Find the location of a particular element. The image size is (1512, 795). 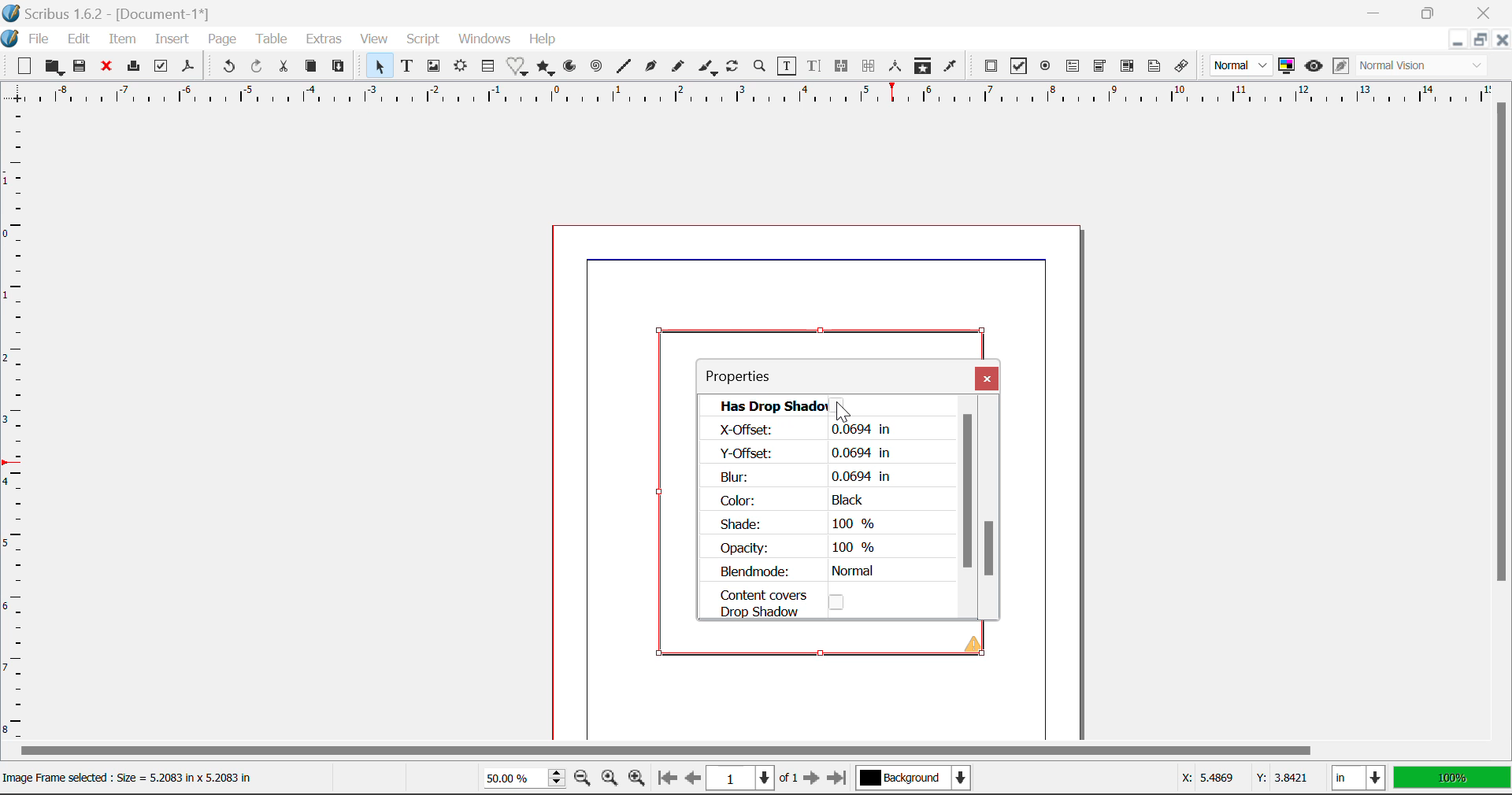

Shade: 100 % is located at coordinates (799, 524).